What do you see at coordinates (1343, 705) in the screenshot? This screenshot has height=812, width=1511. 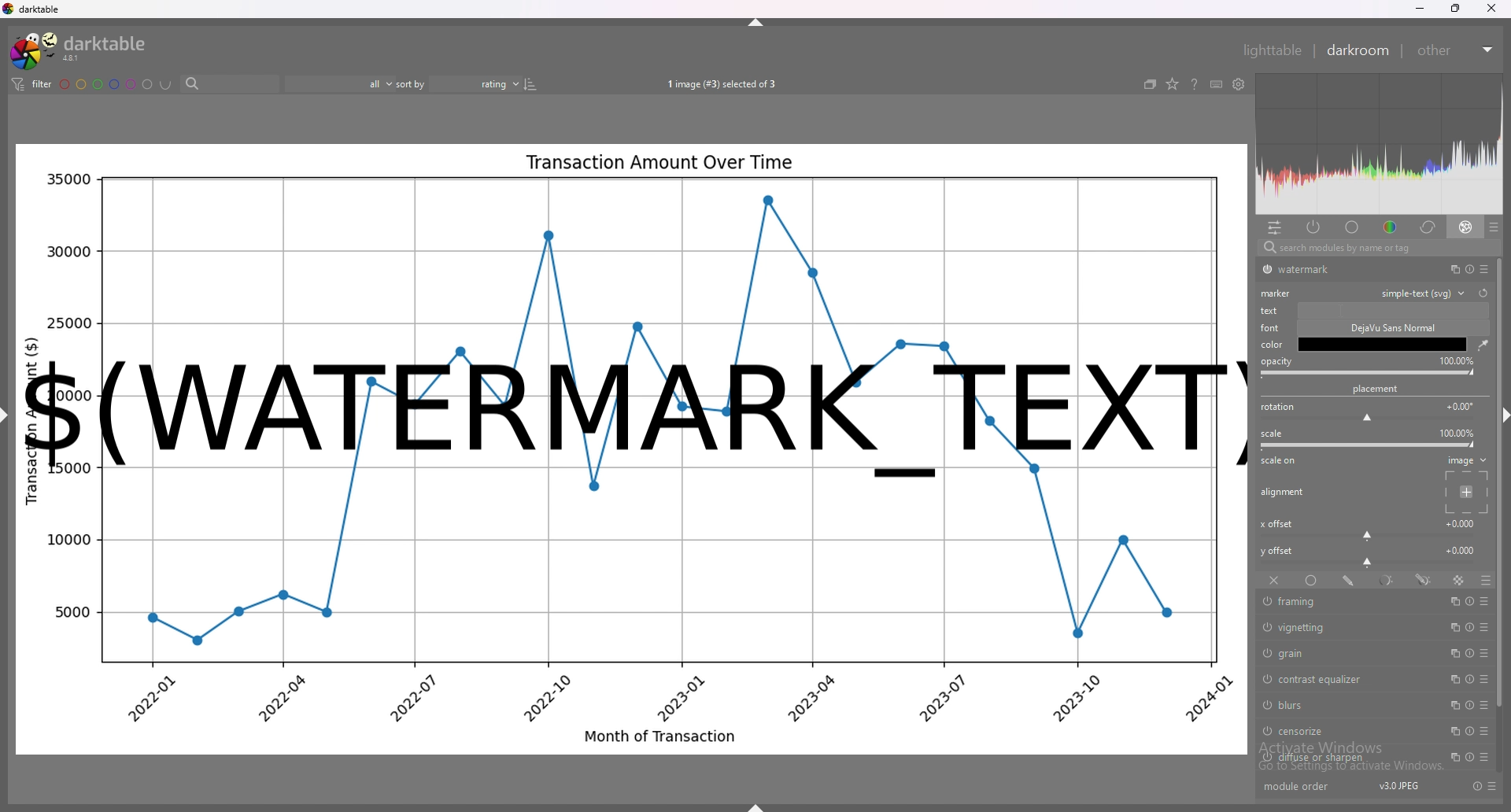 I see `blurs` at bounding box center [1343, 705].